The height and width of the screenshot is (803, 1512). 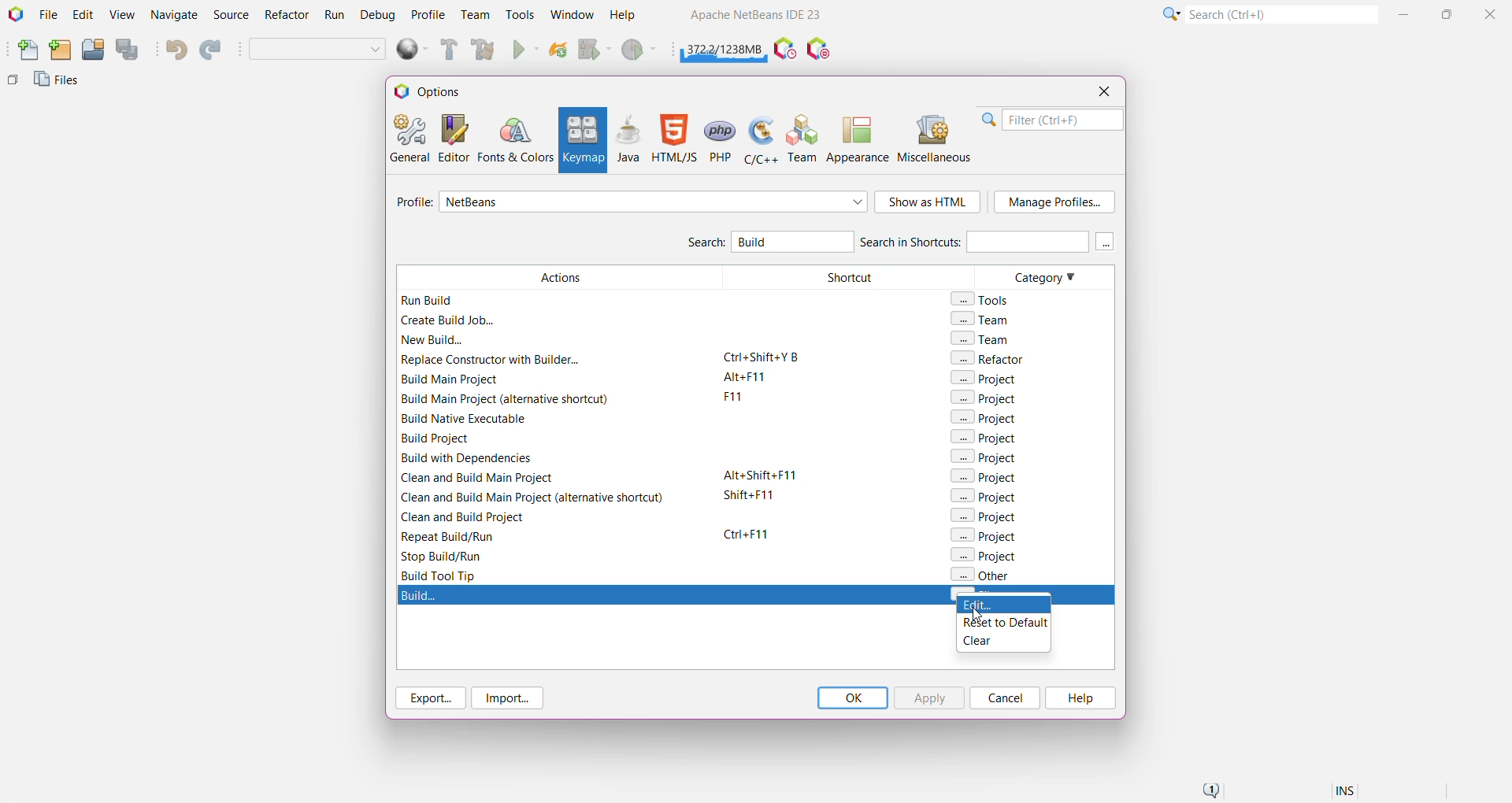 I want to click on Vertical Scroll Bar, so click(x=1106, y=424).